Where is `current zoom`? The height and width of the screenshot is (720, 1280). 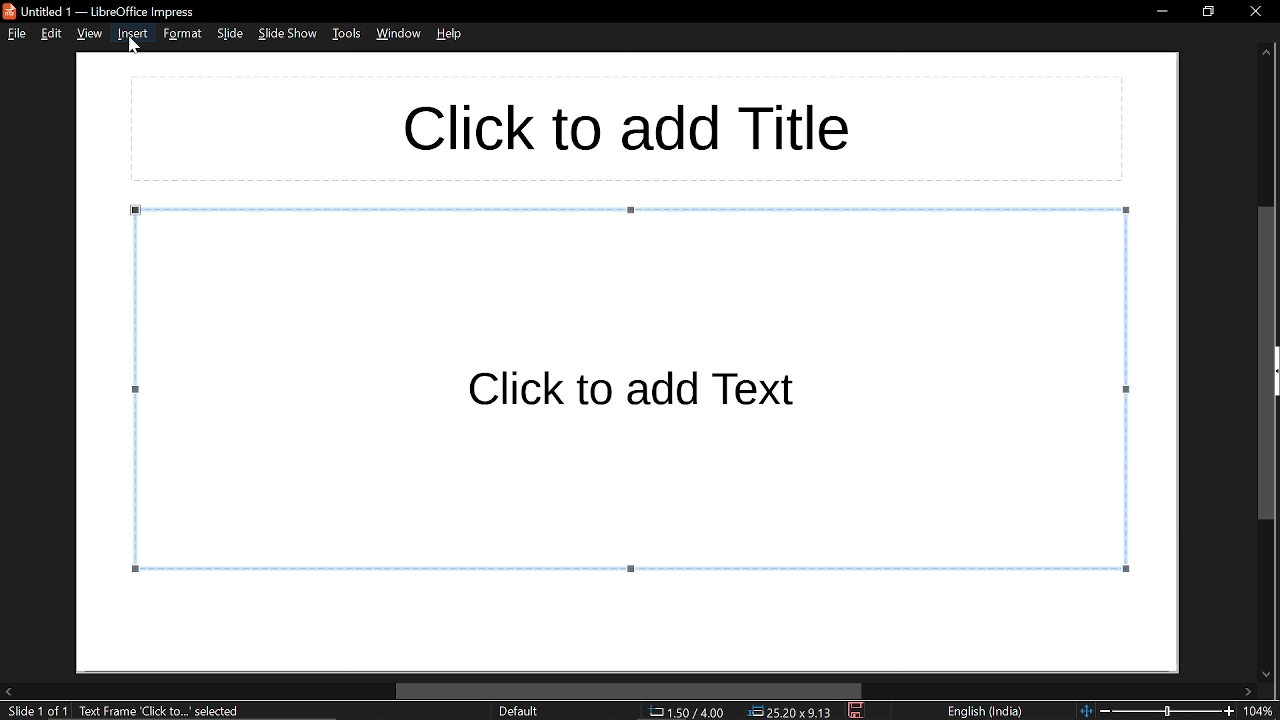
current zoom is located at coordinates (1262, 711).